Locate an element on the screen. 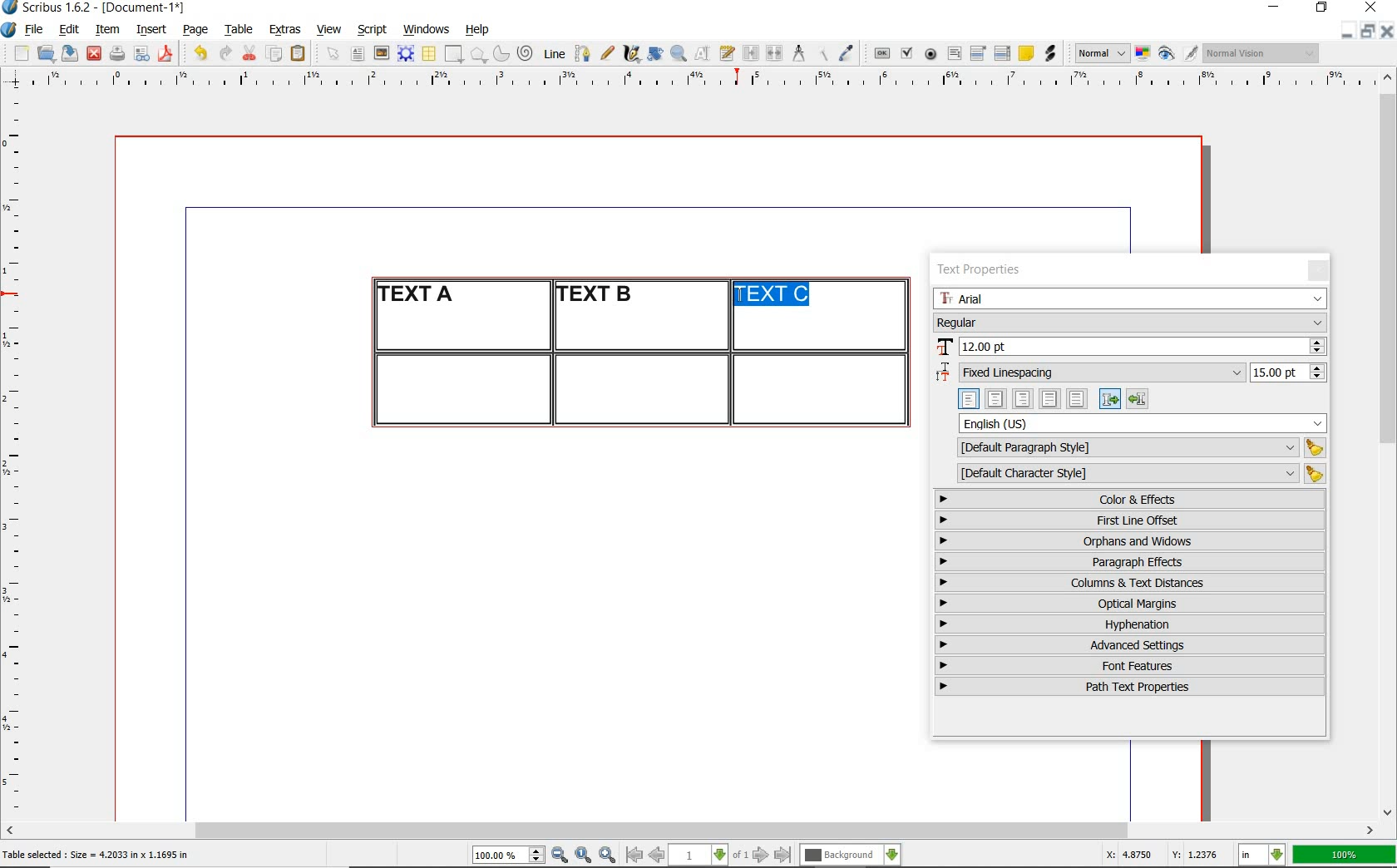 The height and width of the screenshot is (868, 1397). spiral is located at coordinates (526, 53).